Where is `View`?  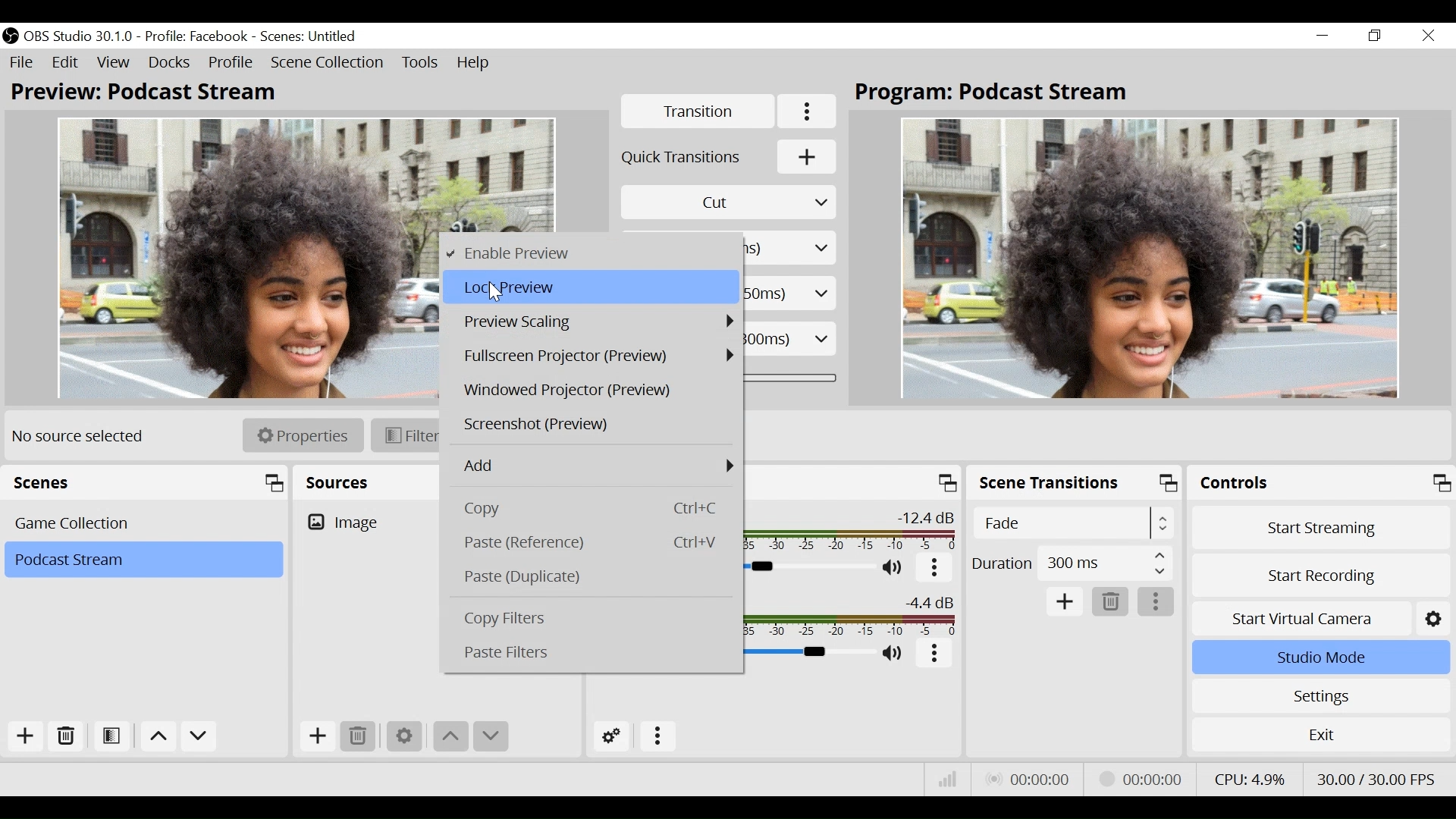 View is located at coordinates (113, 63).